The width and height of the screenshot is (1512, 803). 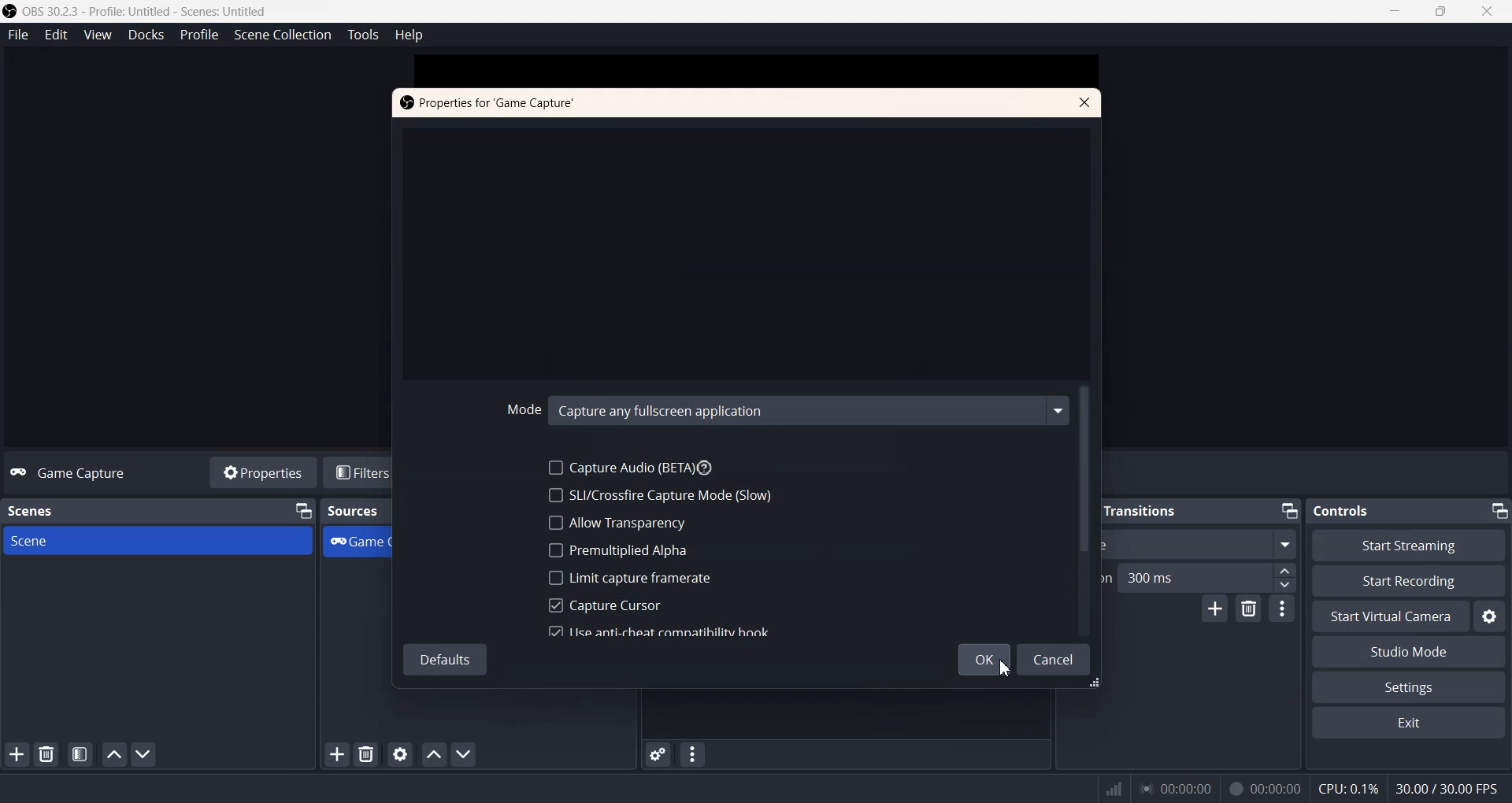 I want to click on View, so click(x=98, y=35).